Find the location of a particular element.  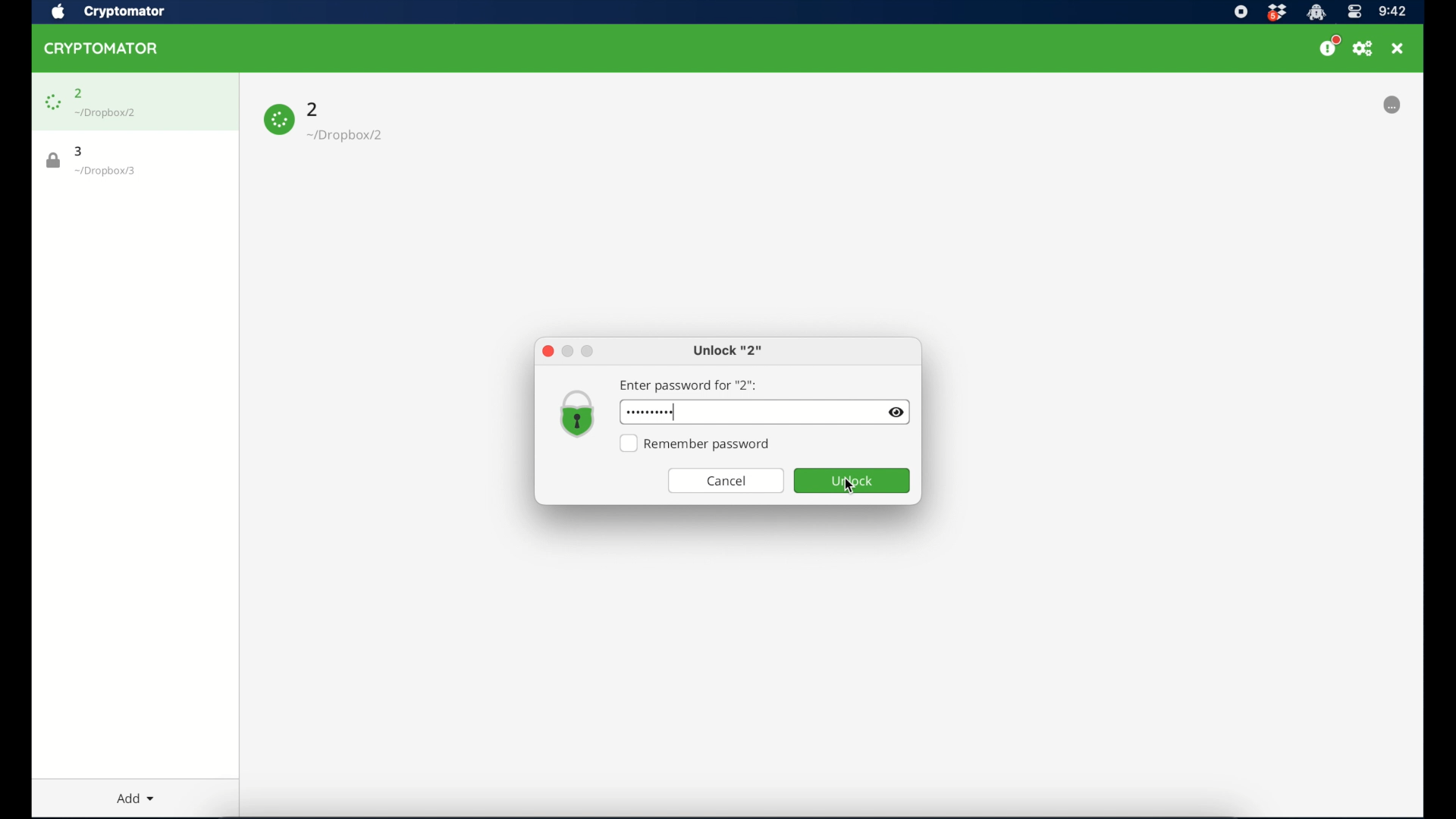

loading icon is located at coordinates (52, 102).